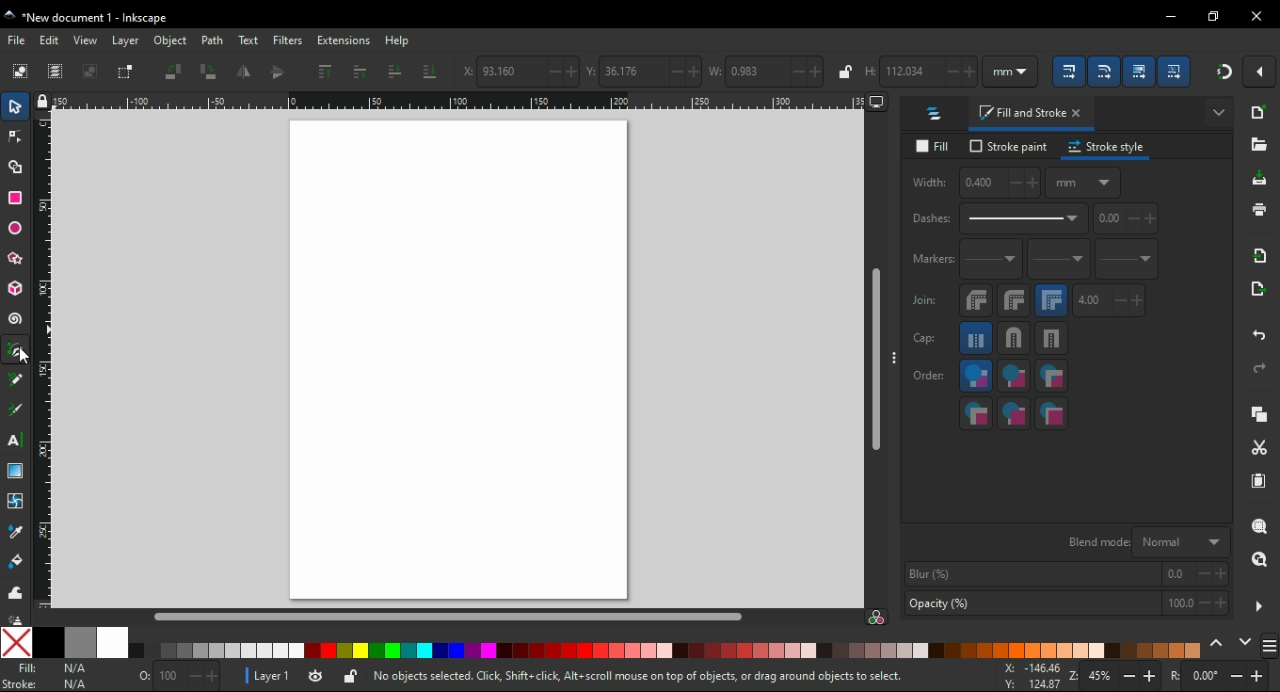  What do you see at coordinates (18, 229) in the screenshot?
I see `ellipse/arc tool` at bounding box center [18, 229].